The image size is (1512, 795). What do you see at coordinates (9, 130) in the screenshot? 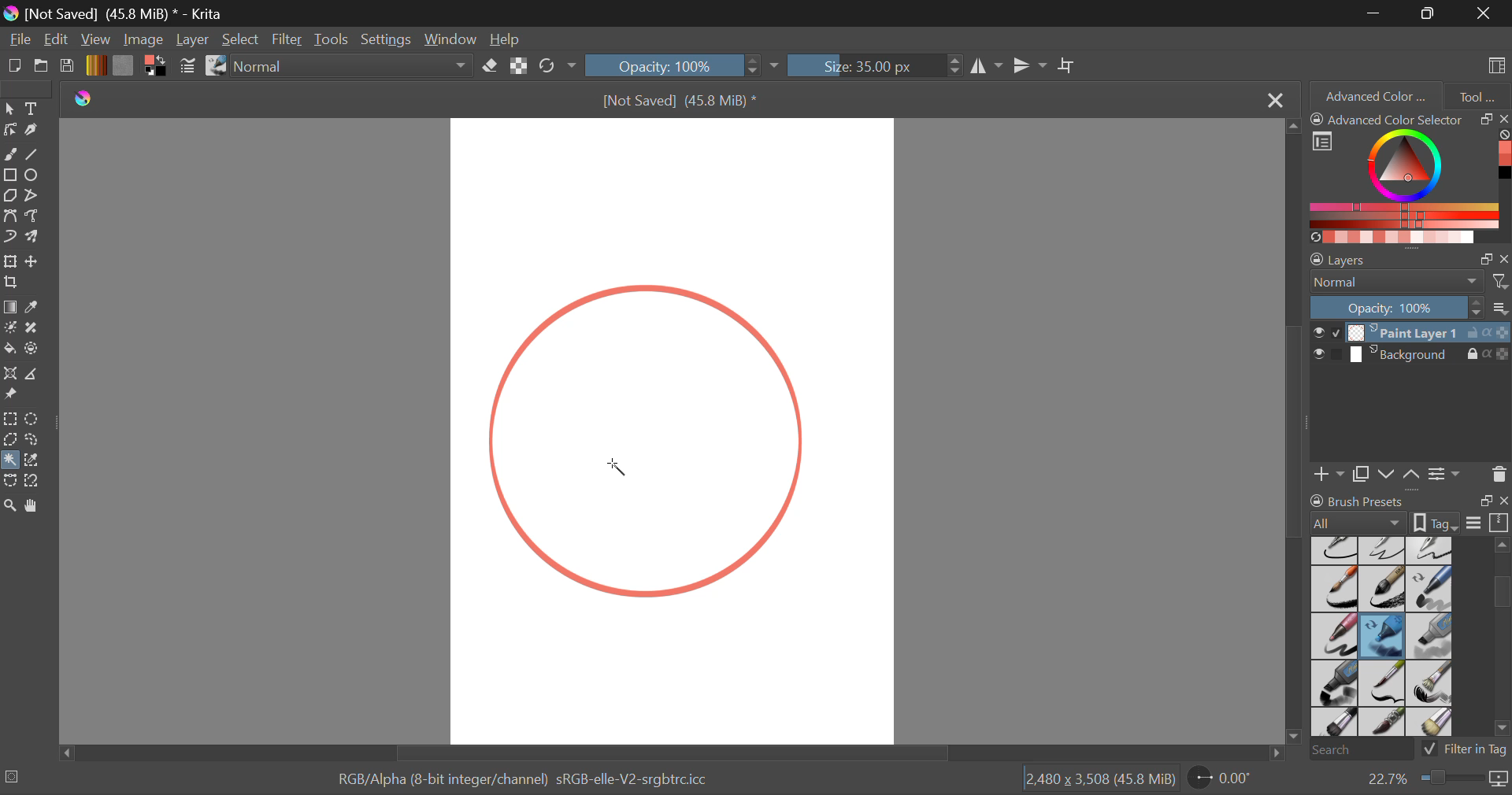
I see `Edit Shapes Tool` at bounding box center [9, 130].